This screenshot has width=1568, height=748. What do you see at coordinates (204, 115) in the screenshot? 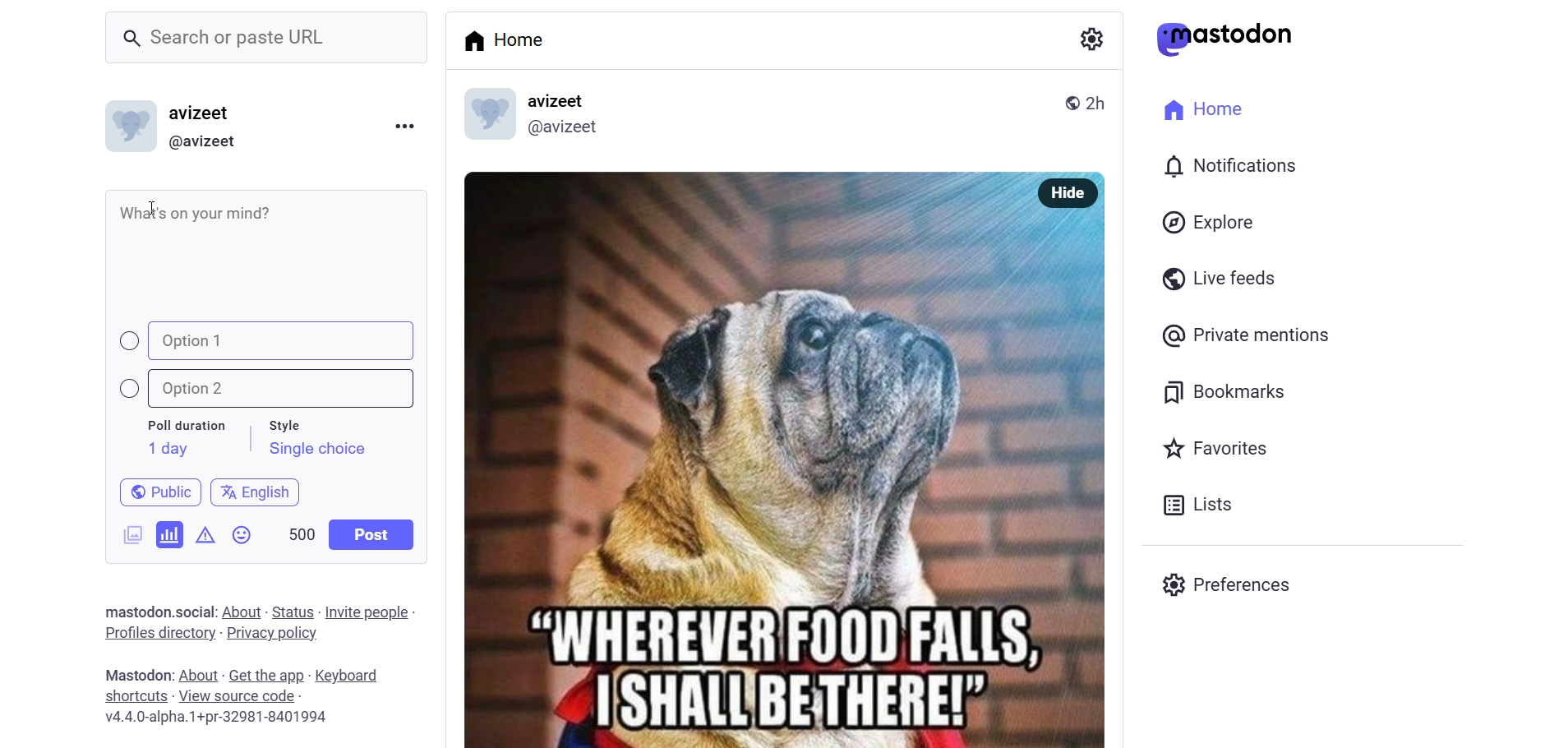
I see `avizeet` at bounding box center [204, 115].